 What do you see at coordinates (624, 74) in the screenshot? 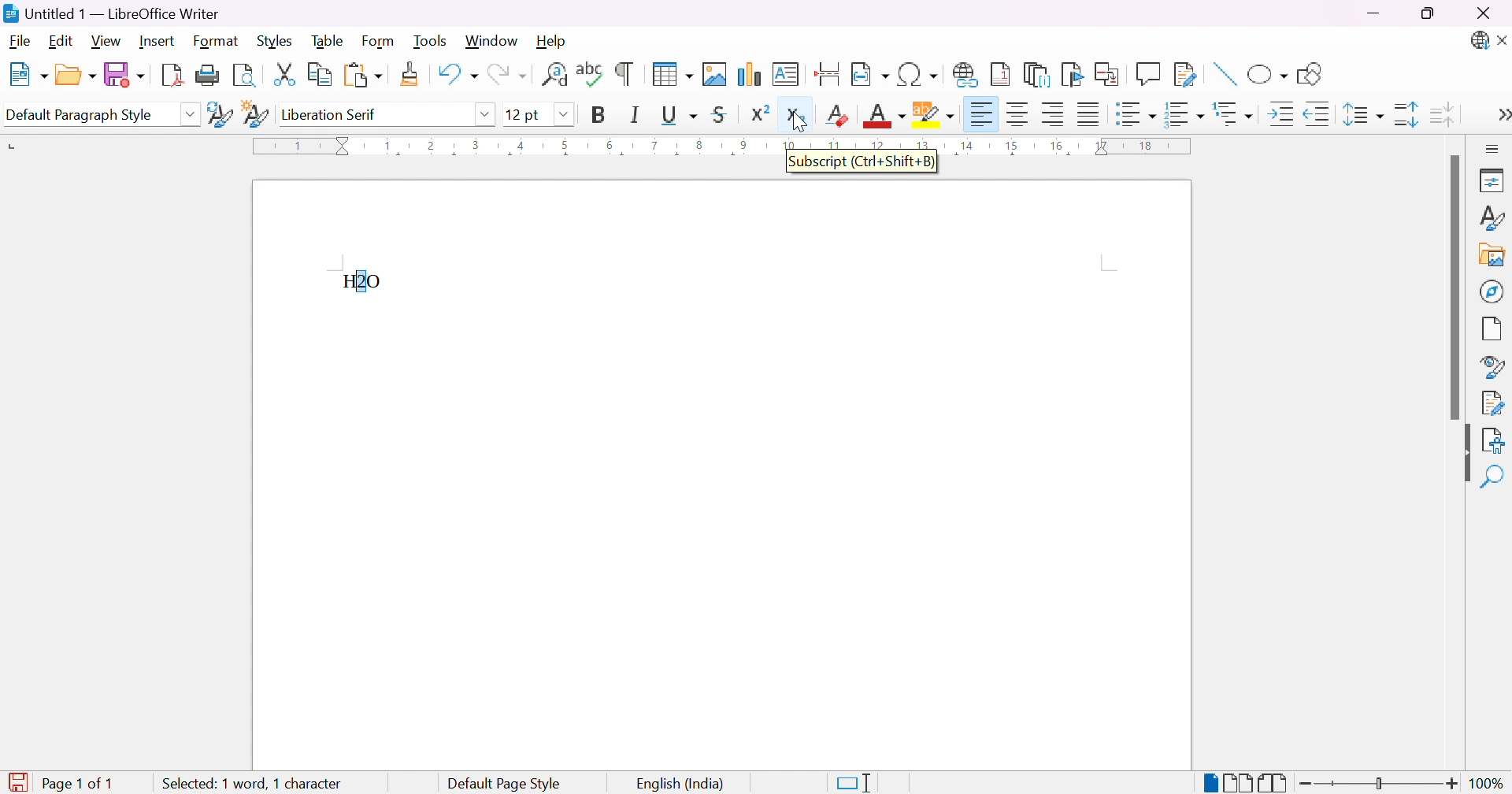
I see `` at bounding box center [624, 74].